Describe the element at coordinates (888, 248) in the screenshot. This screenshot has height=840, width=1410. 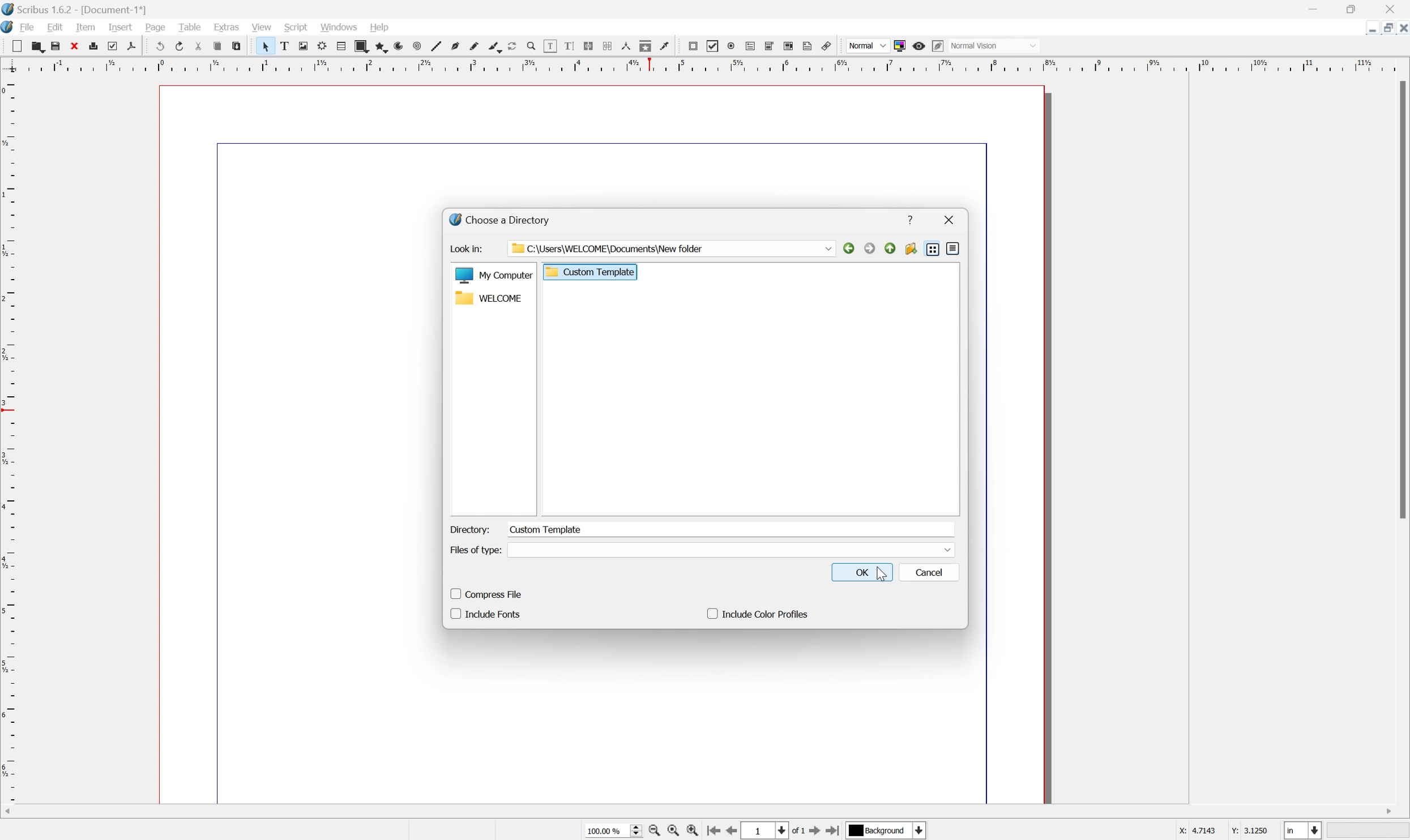
I see `parent directory` at that location.